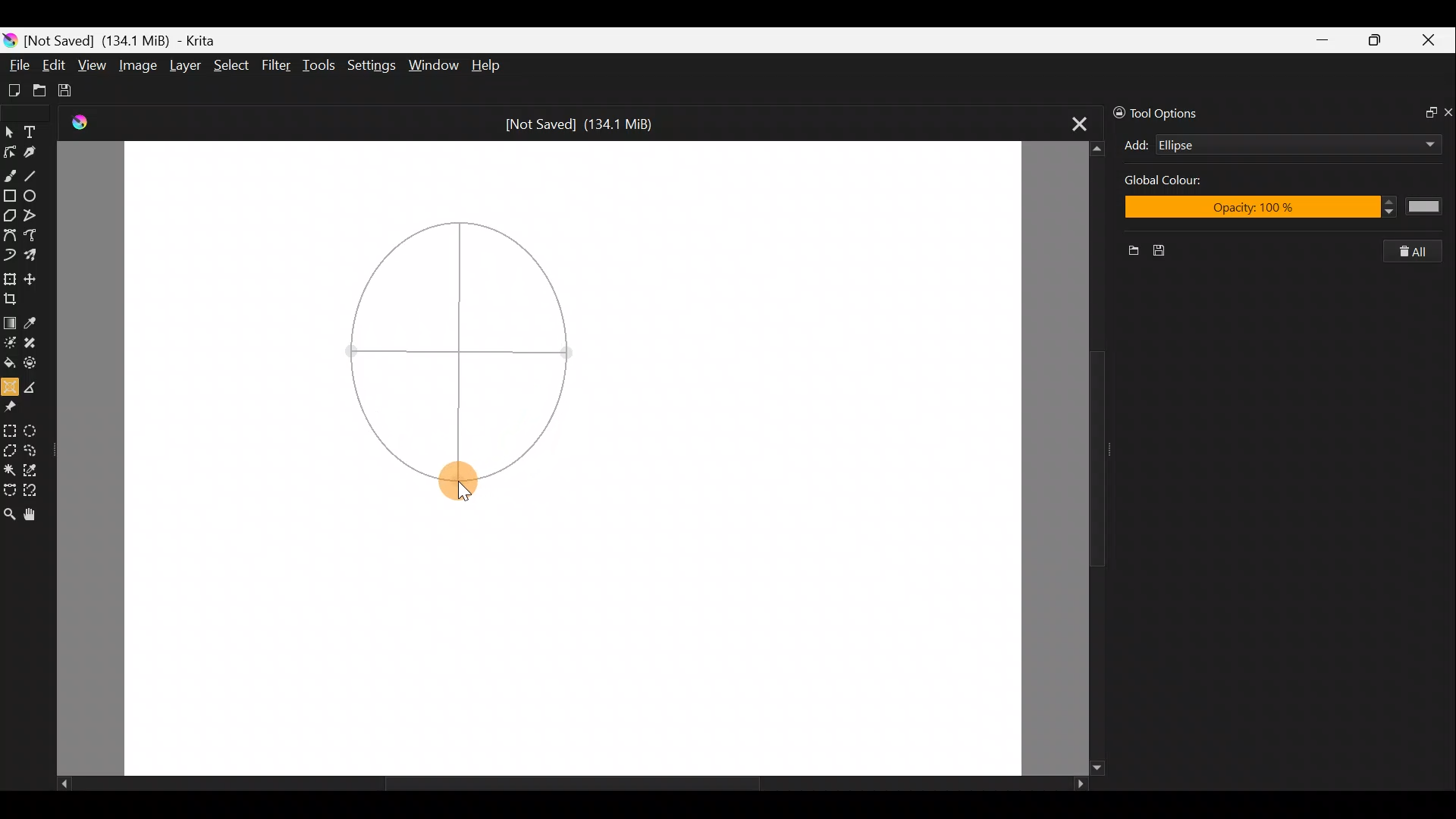 The height and width of the screenshot is (819, 1456). I want to click on Ellipse, so click(36, 196).